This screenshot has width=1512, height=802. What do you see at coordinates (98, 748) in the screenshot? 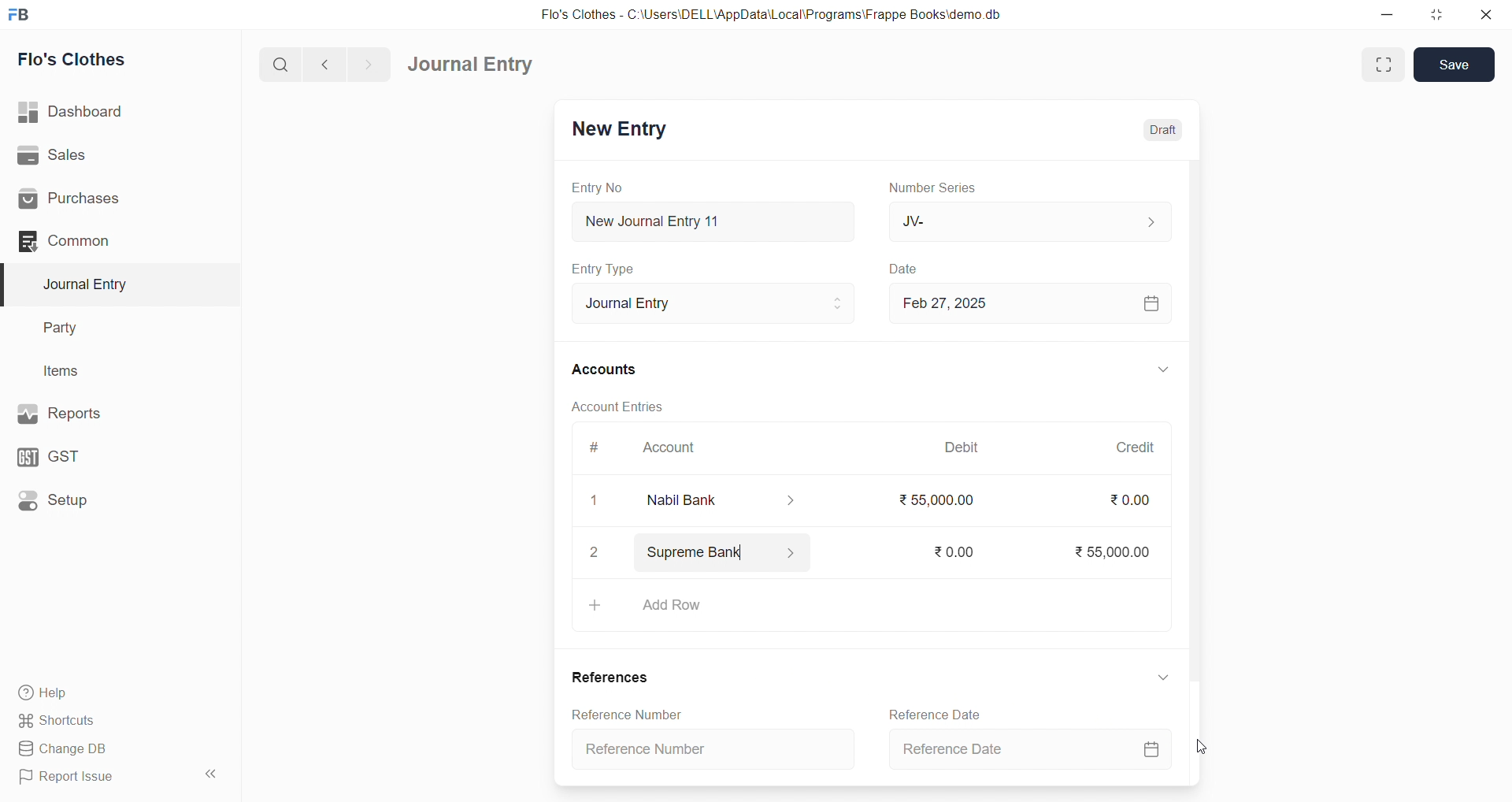
I see `Change DB` at bounding box center [98, 748].